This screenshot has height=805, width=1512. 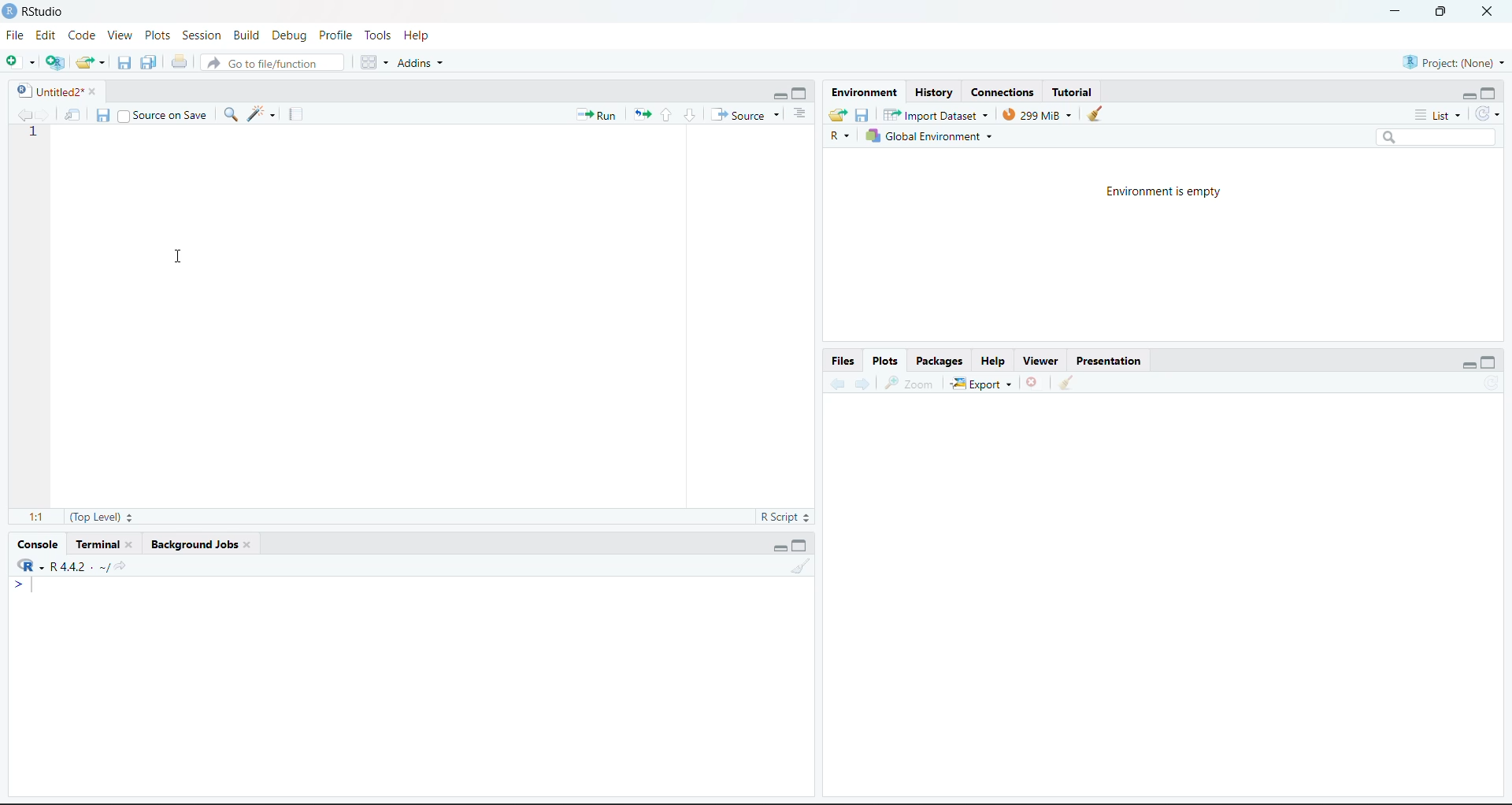 What do you see at coordinates (179, 254) in the screenshot?
I see `cursor` at bounding box center [179, 254].